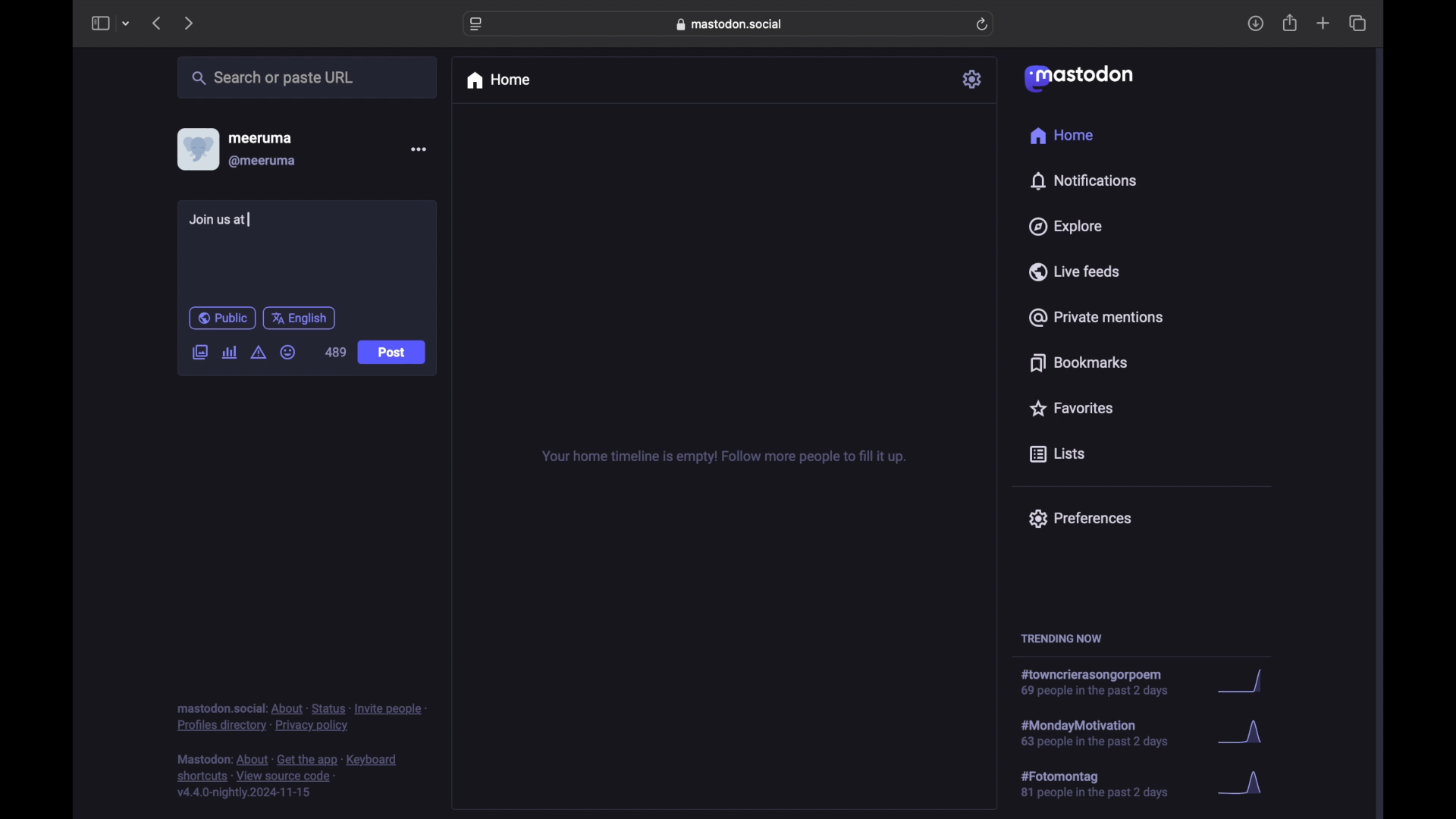  Describe the element at coordinates (222, 219) in the screenshot. I see `Join us` at that location.